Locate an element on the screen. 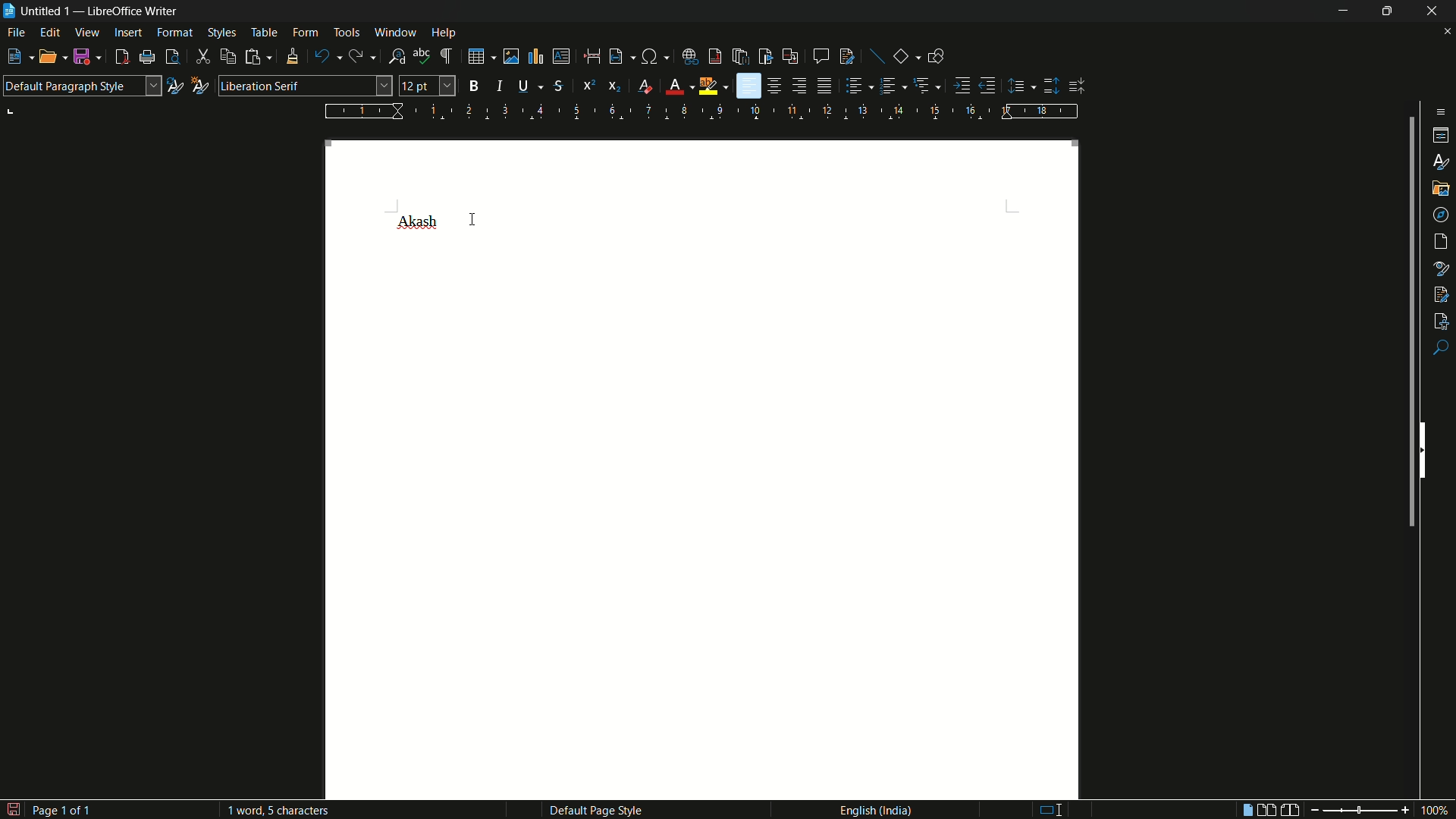 The width and height of the screenshot is (1456, 819). character highlighting color is located at coordinates (708, 86).